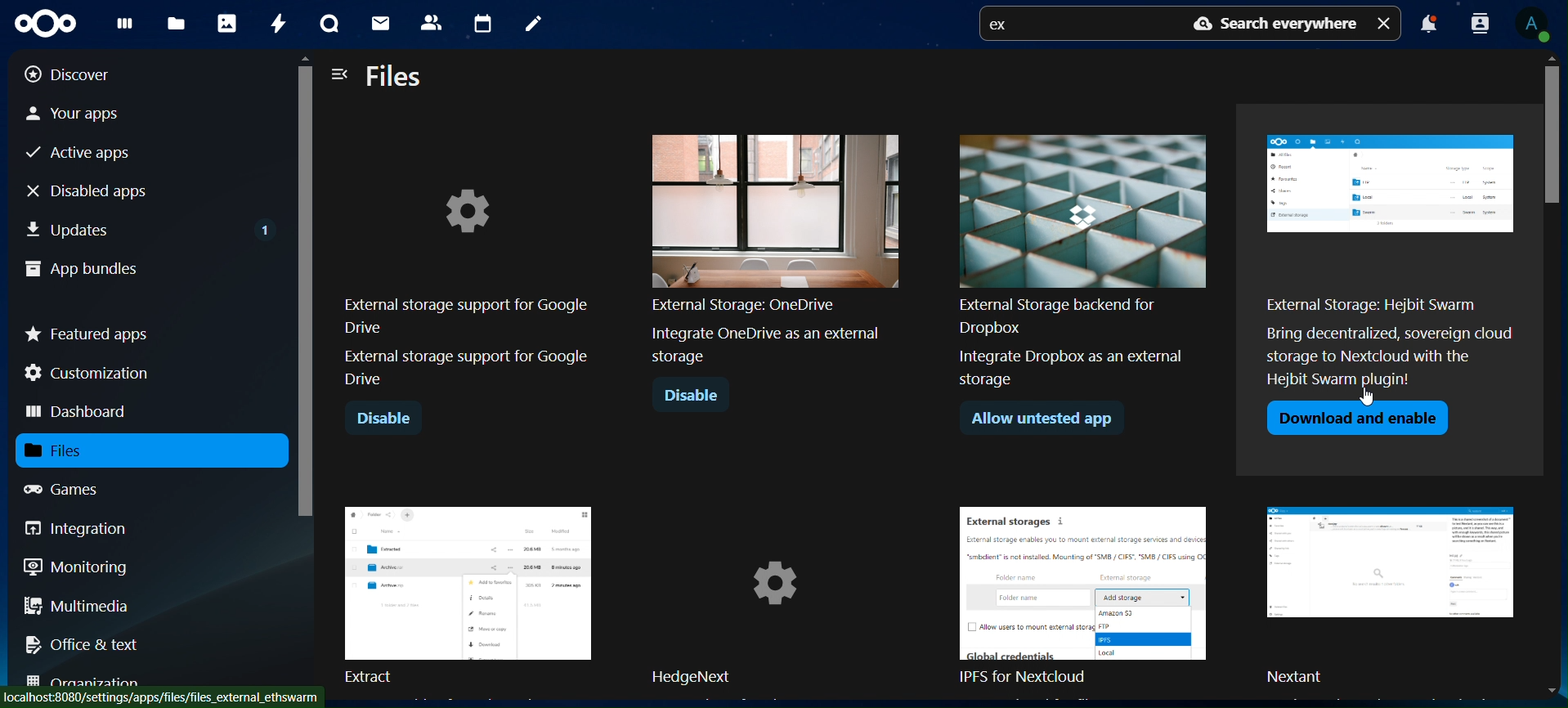 Image resolution: width=1568 pixels, height=708 pixels. Describe the element at coordinates (80, 74) in the screenshot. I see `discover` at that location.